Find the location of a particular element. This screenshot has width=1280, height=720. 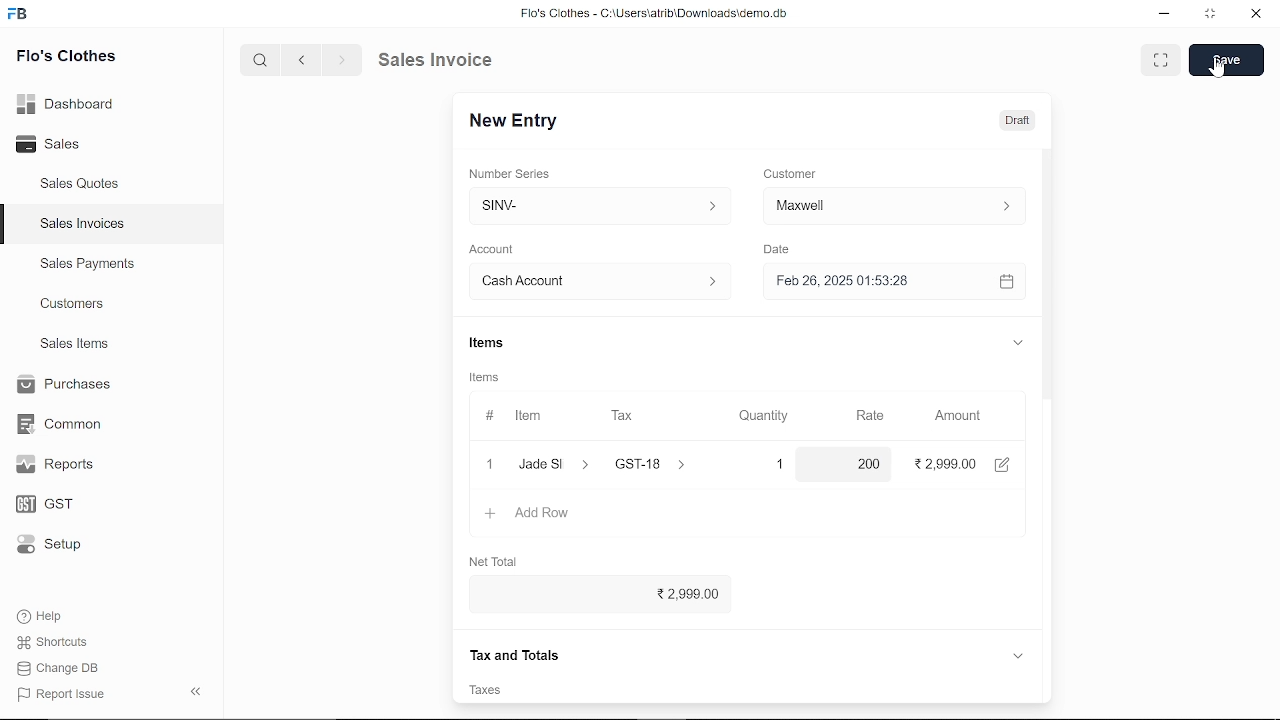

previous is located at coordinates (302, 59).